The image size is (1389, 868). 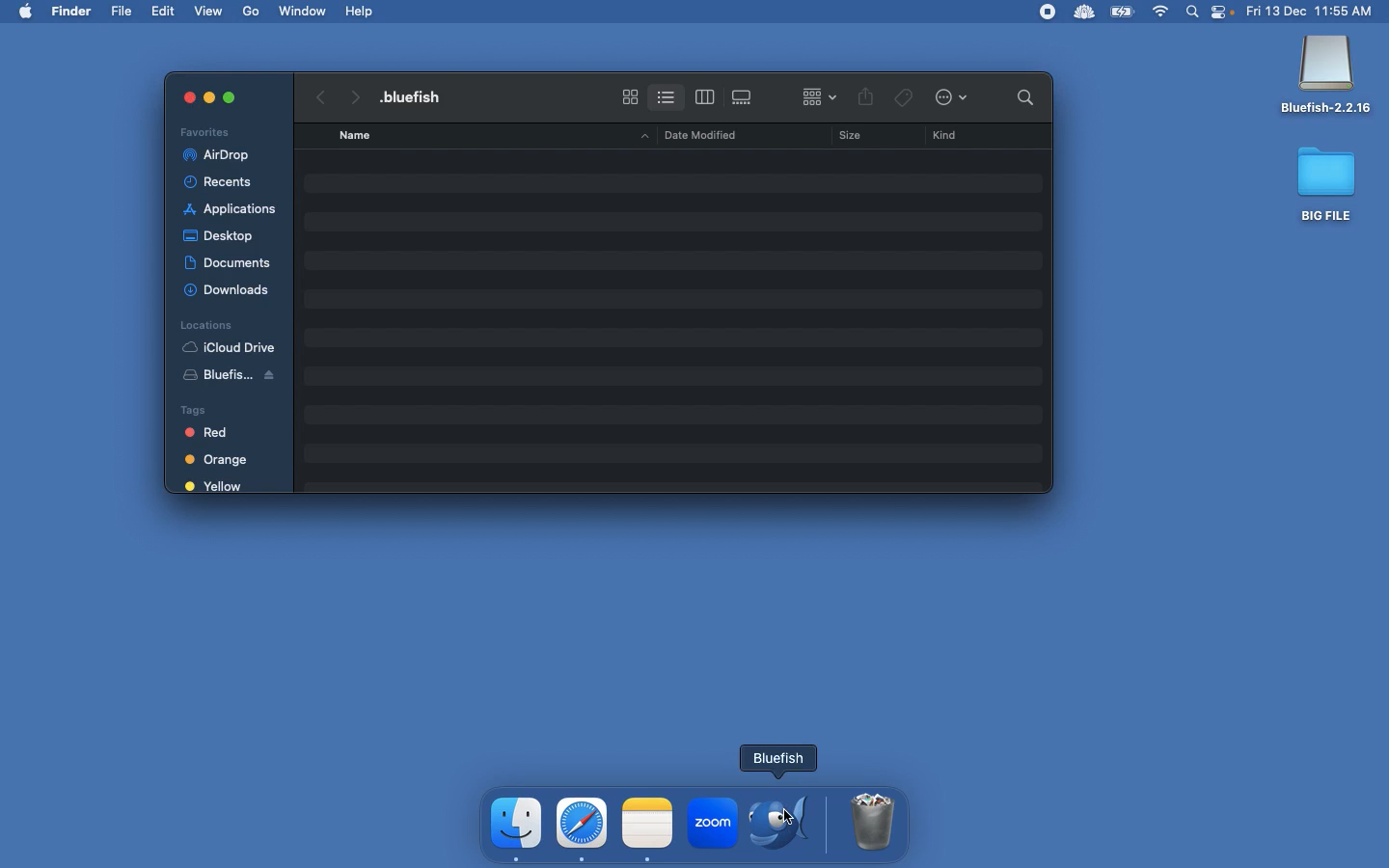 I want to click on desktop, so click(x=222, y=232).